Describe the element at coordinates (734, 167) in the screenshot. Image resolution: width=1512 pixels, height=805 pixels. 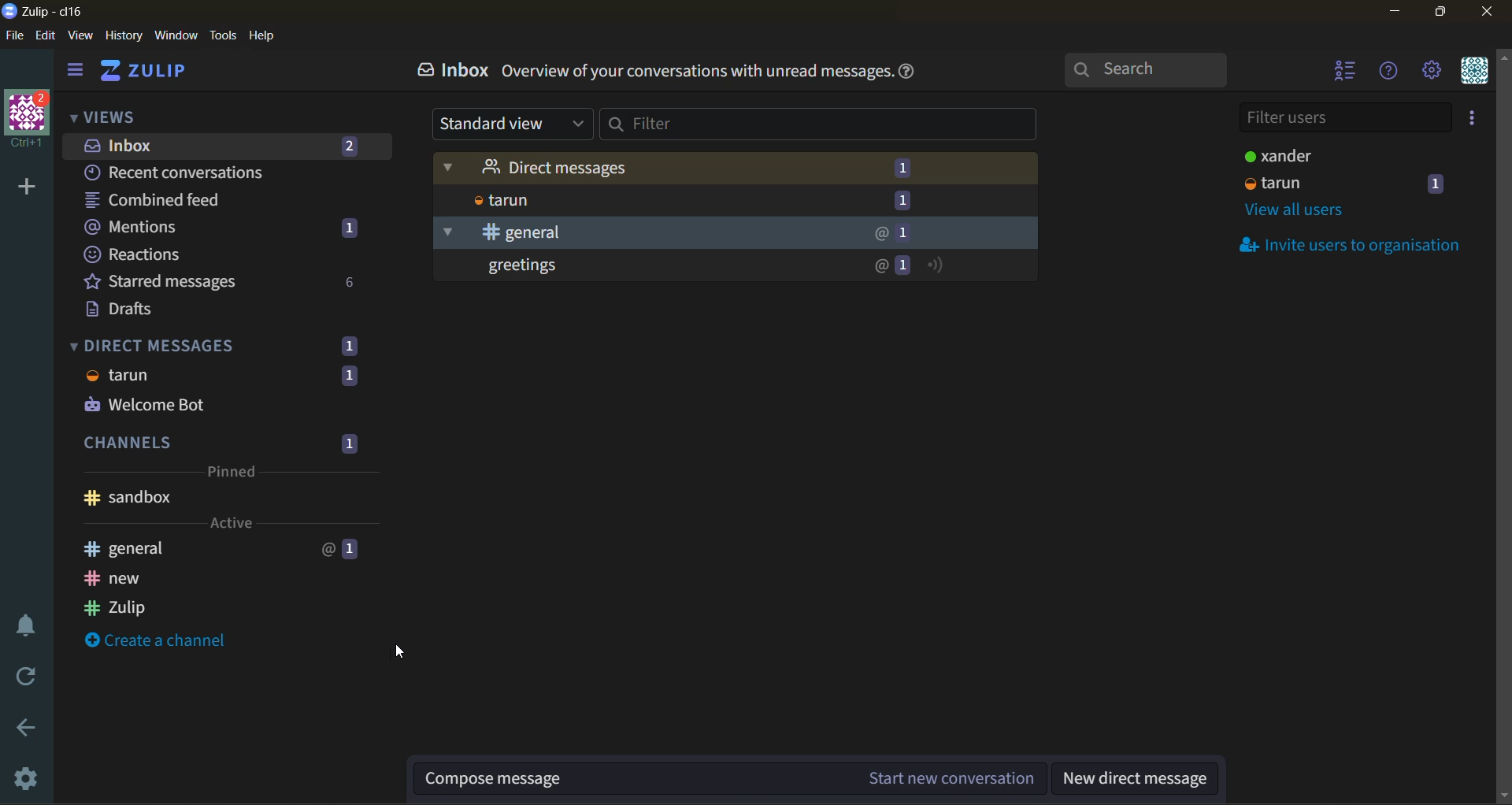
I see `Direct Message` at that location.